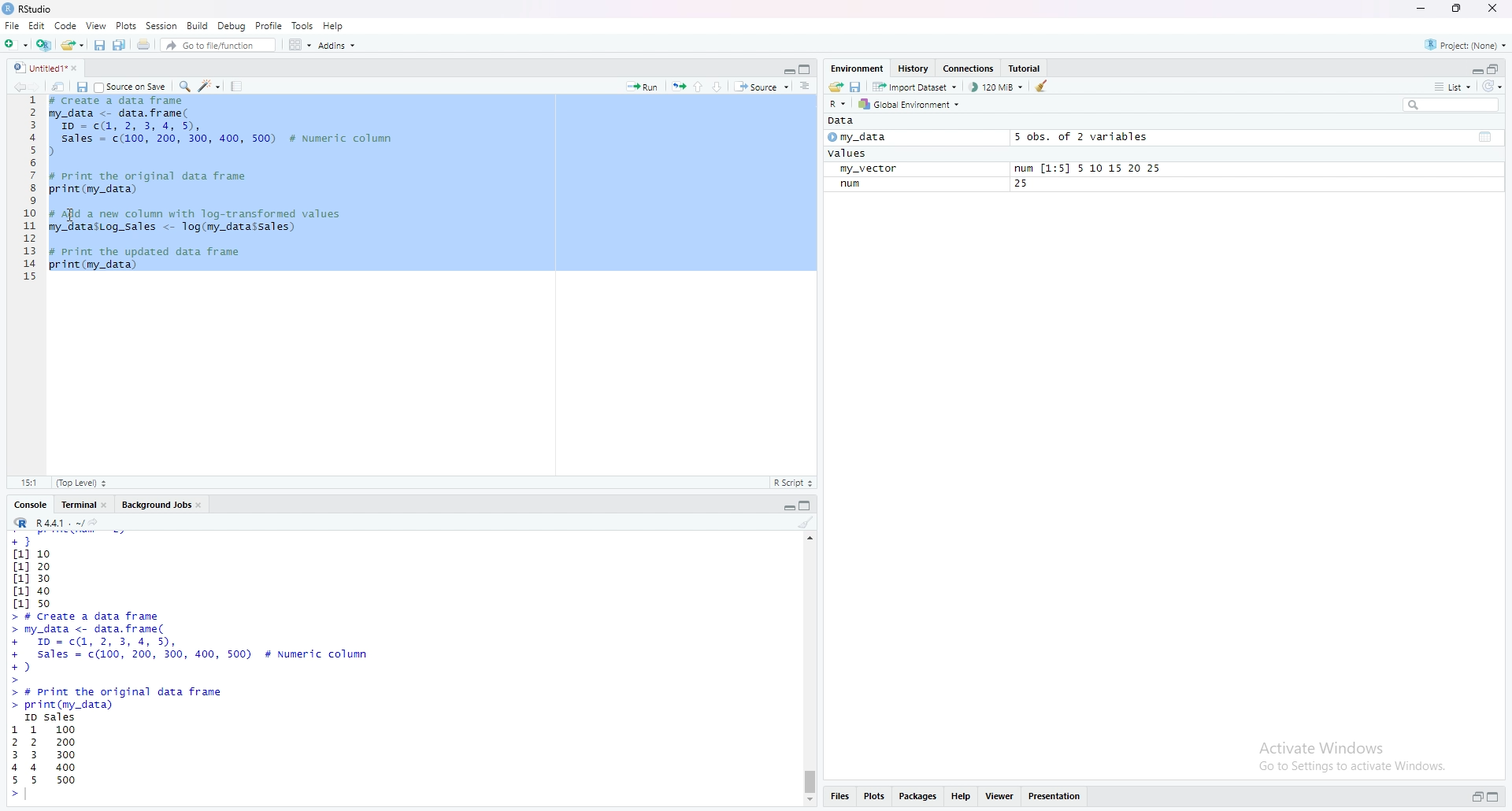 This screenshot has height=811, width=1512. I want to click on terminal, so click(76, 505).